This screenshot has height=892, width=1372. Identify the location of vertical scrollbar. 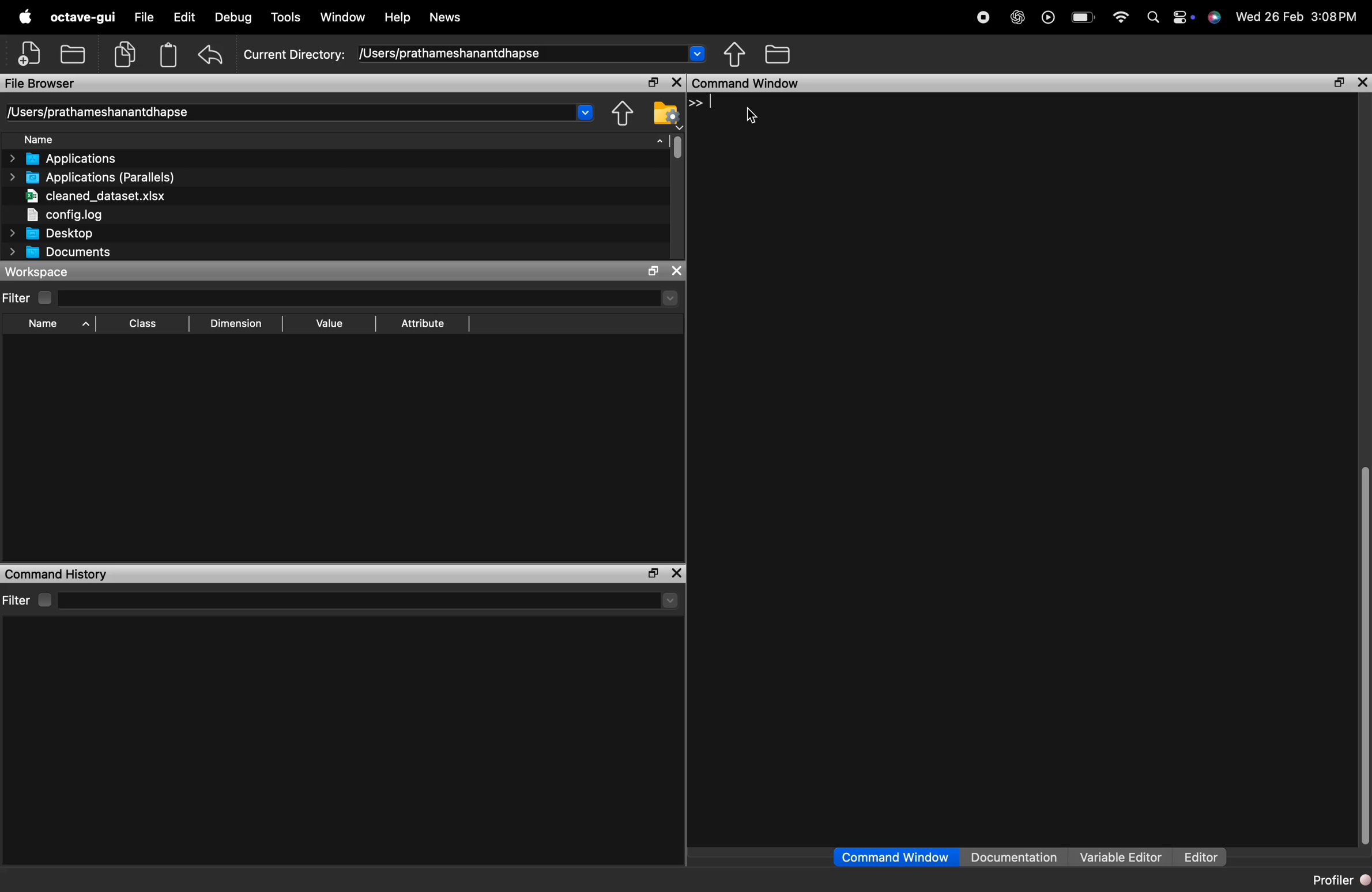
(673, 147).